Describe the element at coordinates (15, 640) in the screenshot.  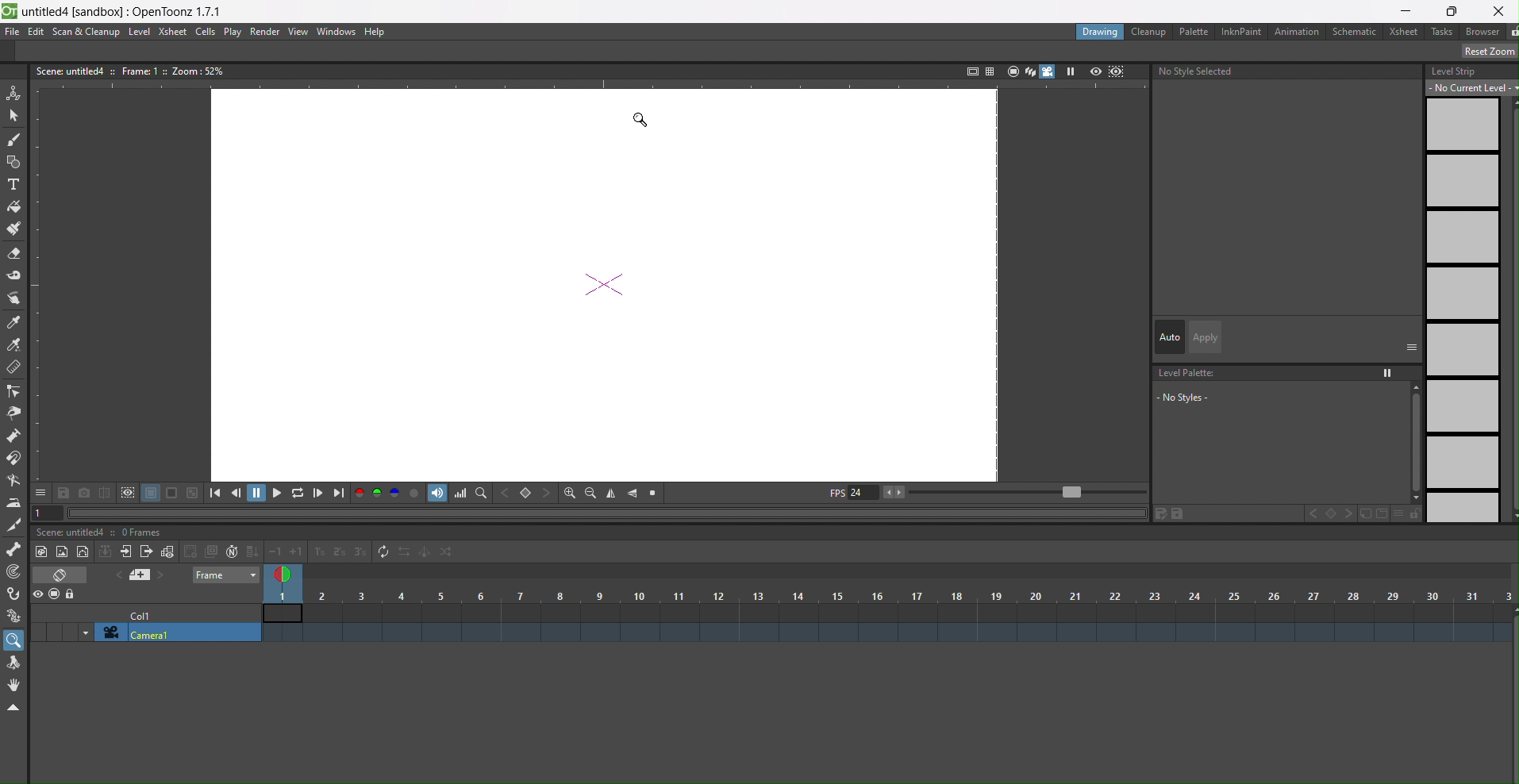
I see `magnifier tool` at that location.